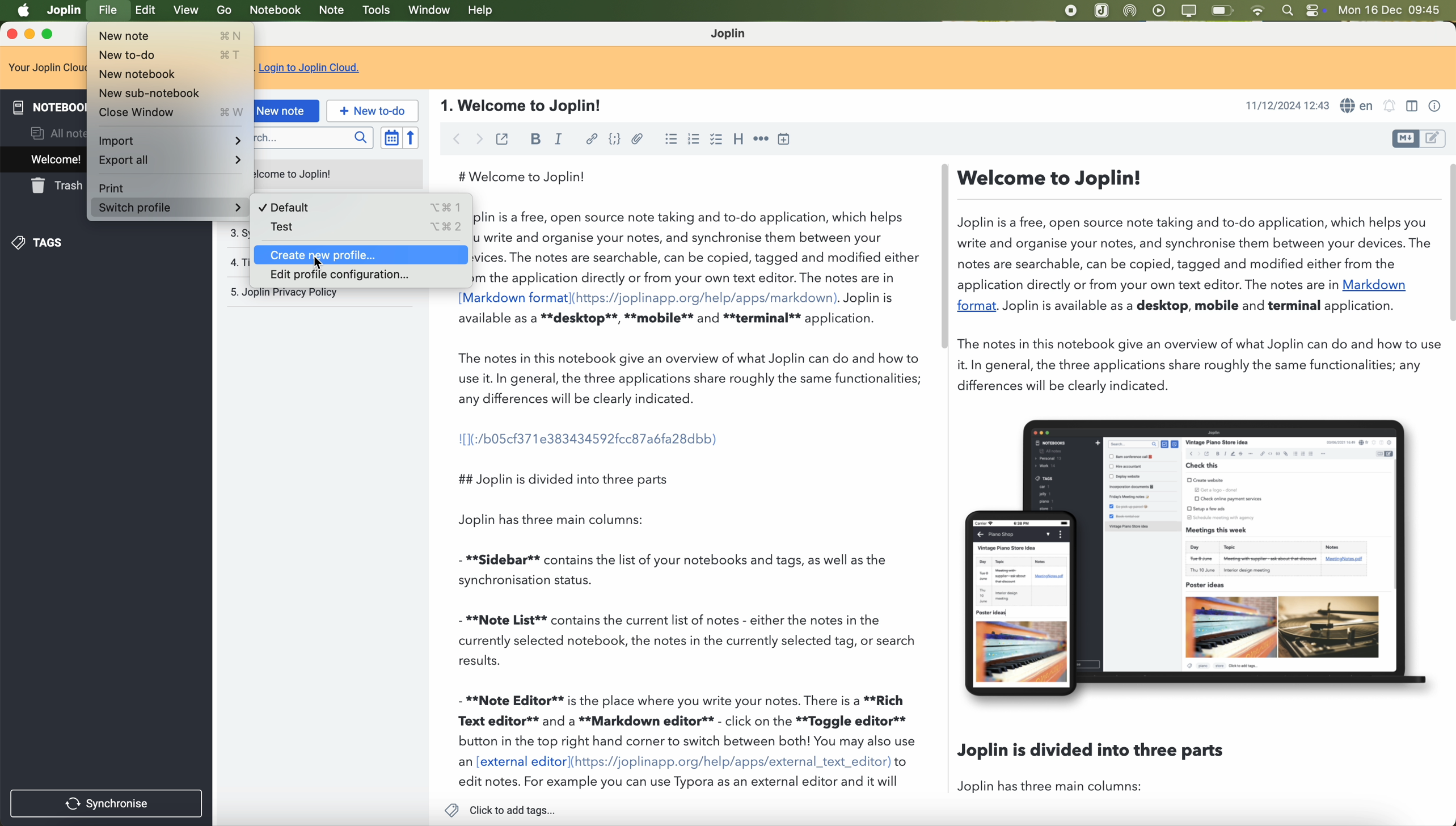 The image size is (1456, 826). I want to click on Joplin, so click(65, 10).